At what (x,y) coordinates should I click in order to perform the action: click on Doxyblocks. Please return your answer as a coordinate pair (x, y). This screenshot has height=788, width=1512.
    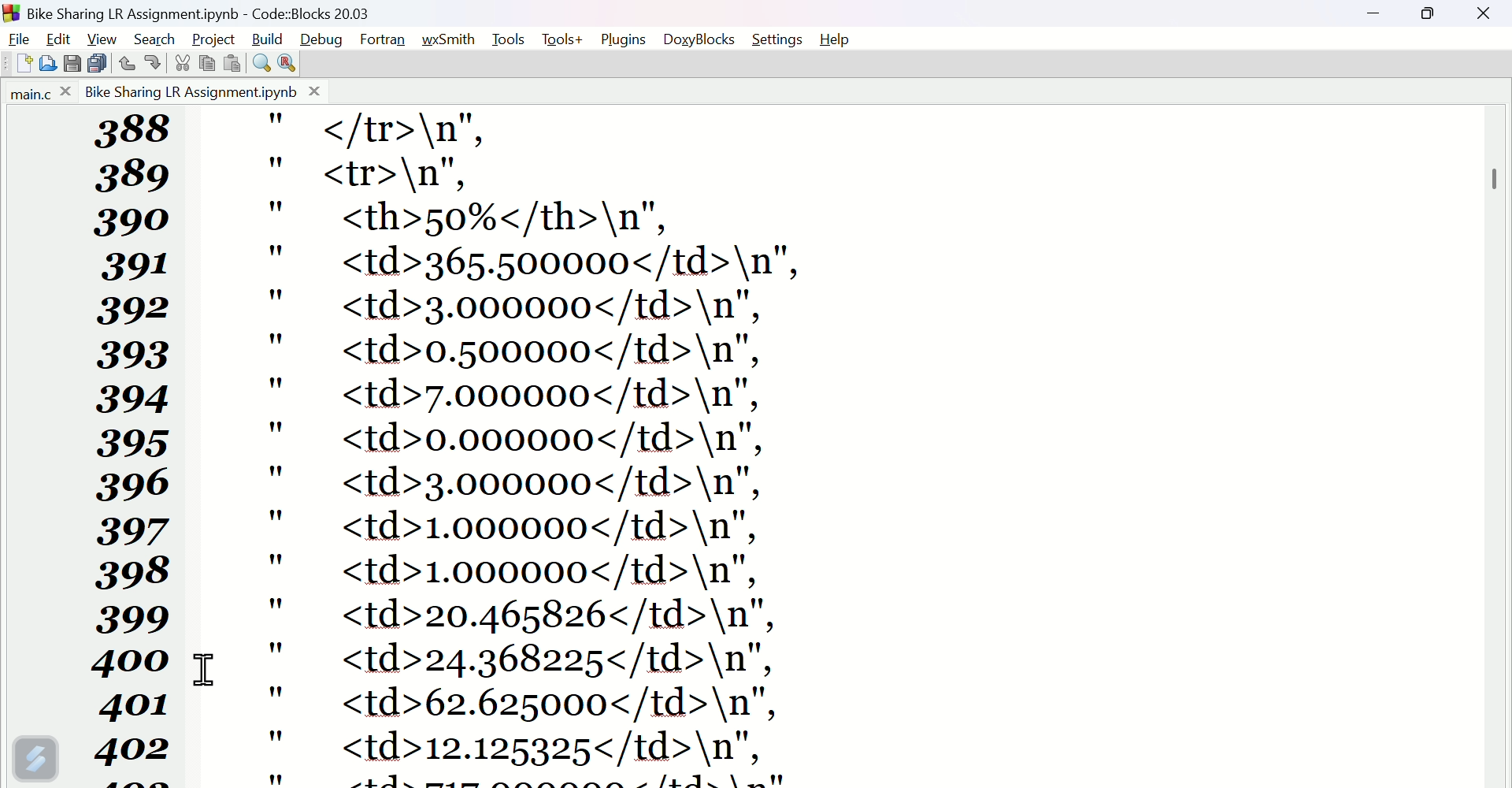
    Looking at the image, I should click on (700, 36).